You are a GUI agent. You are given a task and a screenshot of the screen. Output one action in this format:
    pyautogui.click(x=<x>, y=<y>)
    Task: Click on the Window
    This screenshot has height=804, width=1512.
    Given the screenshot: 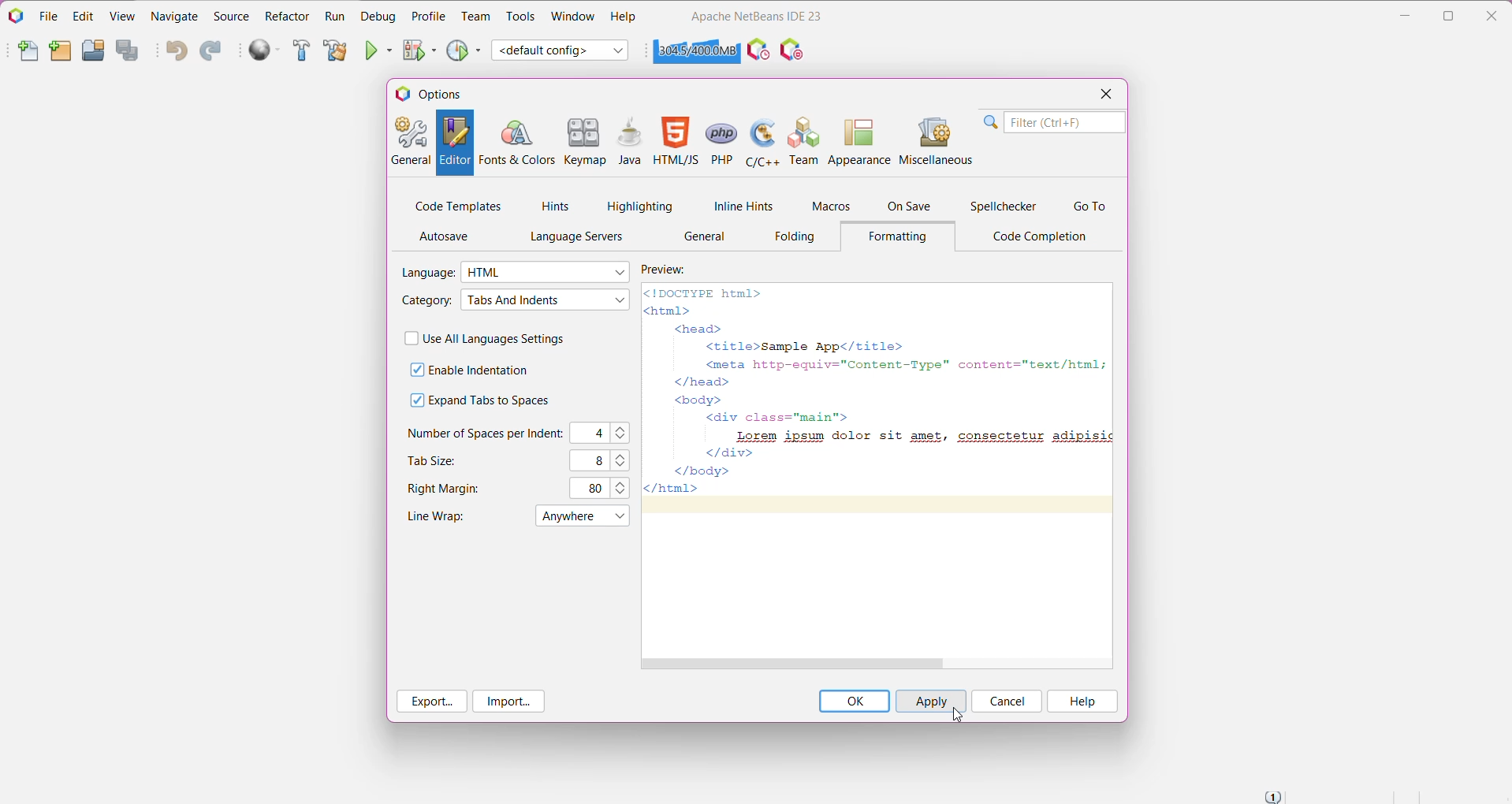 What is the action you would take?
    pyautogui.click(x=572, y=16)
    